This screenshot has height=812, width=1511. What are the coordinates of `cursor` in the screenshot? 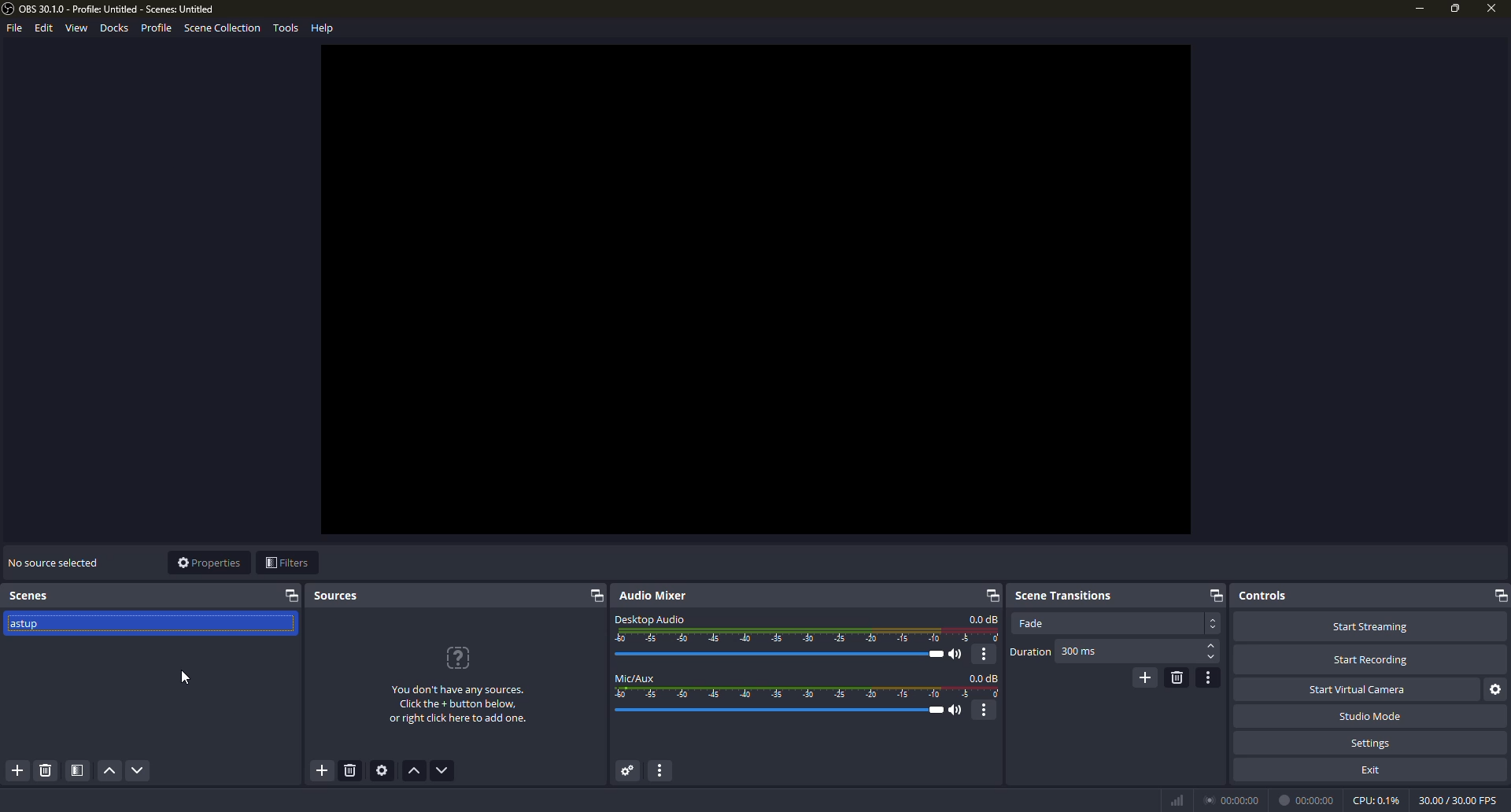 It's located at (187, 678).